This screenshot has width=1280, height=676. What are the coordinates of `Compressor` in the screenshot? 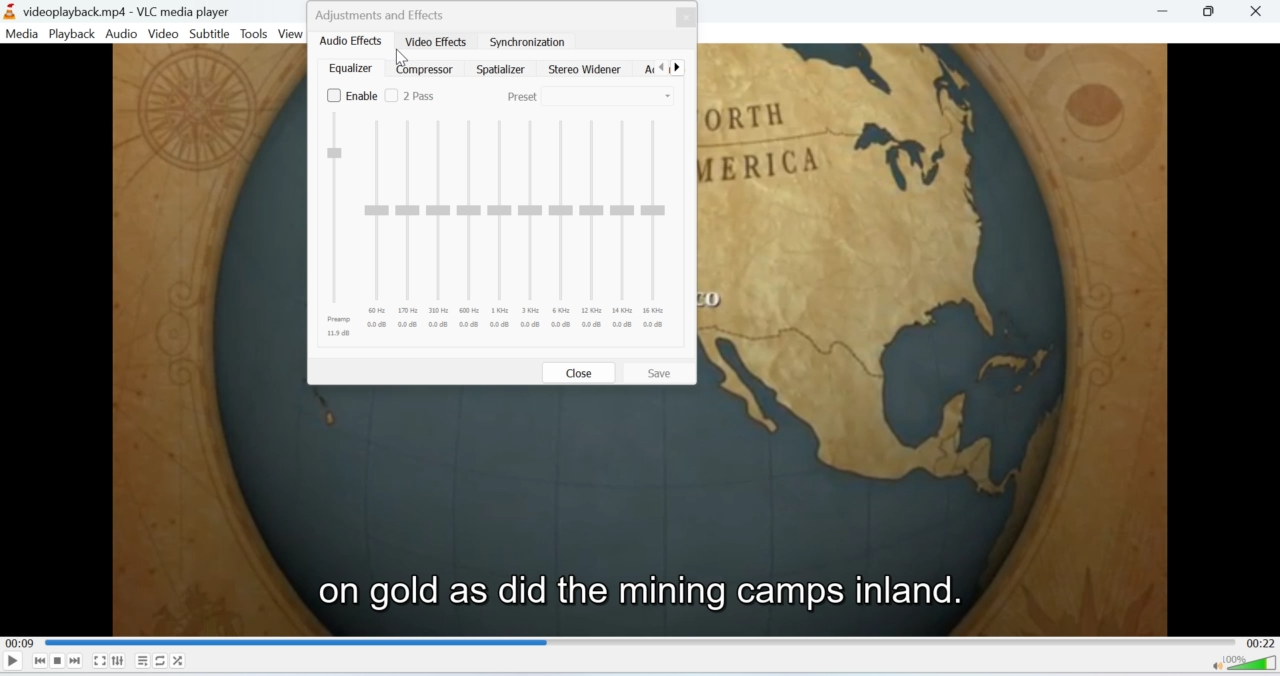 It's located at (427, 70).